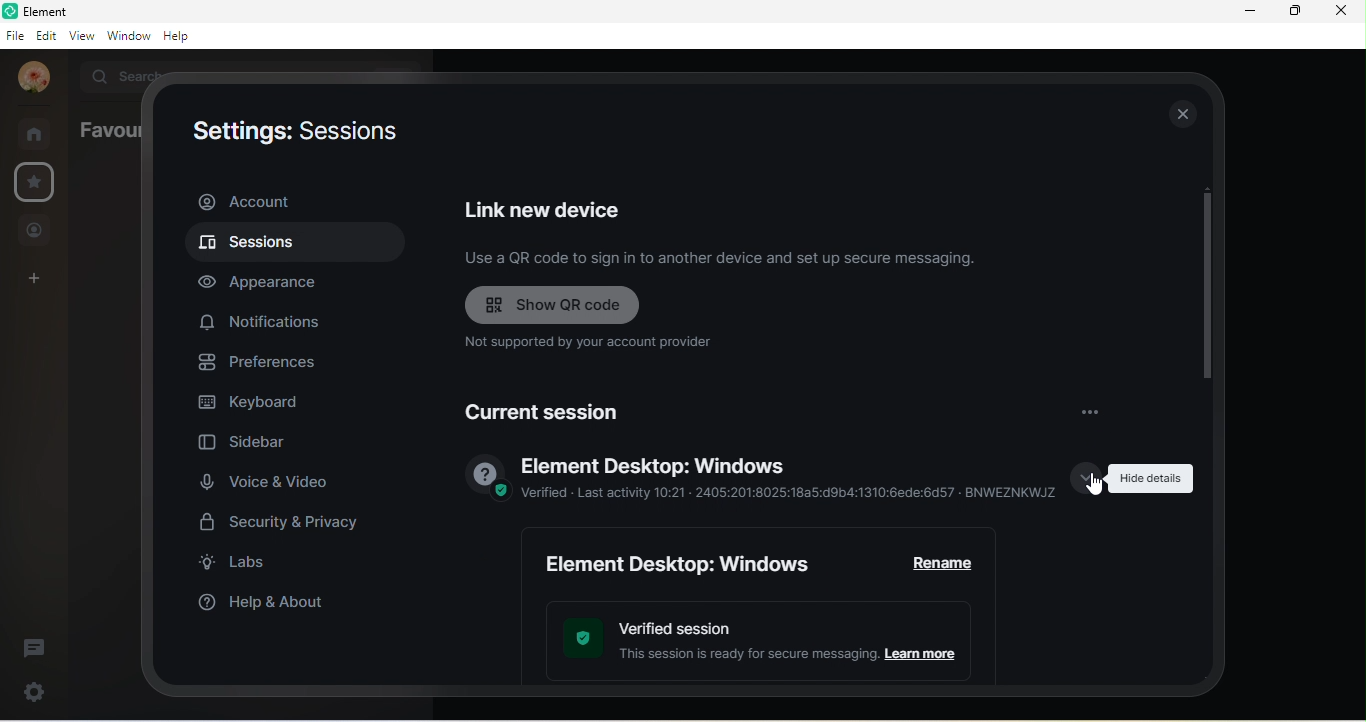  I want to click on verified-last activity 10.21 2405:201:8025:18a5:d8b4:1310:6ede:6d57 bnweznkwjz, so click(791, 494).